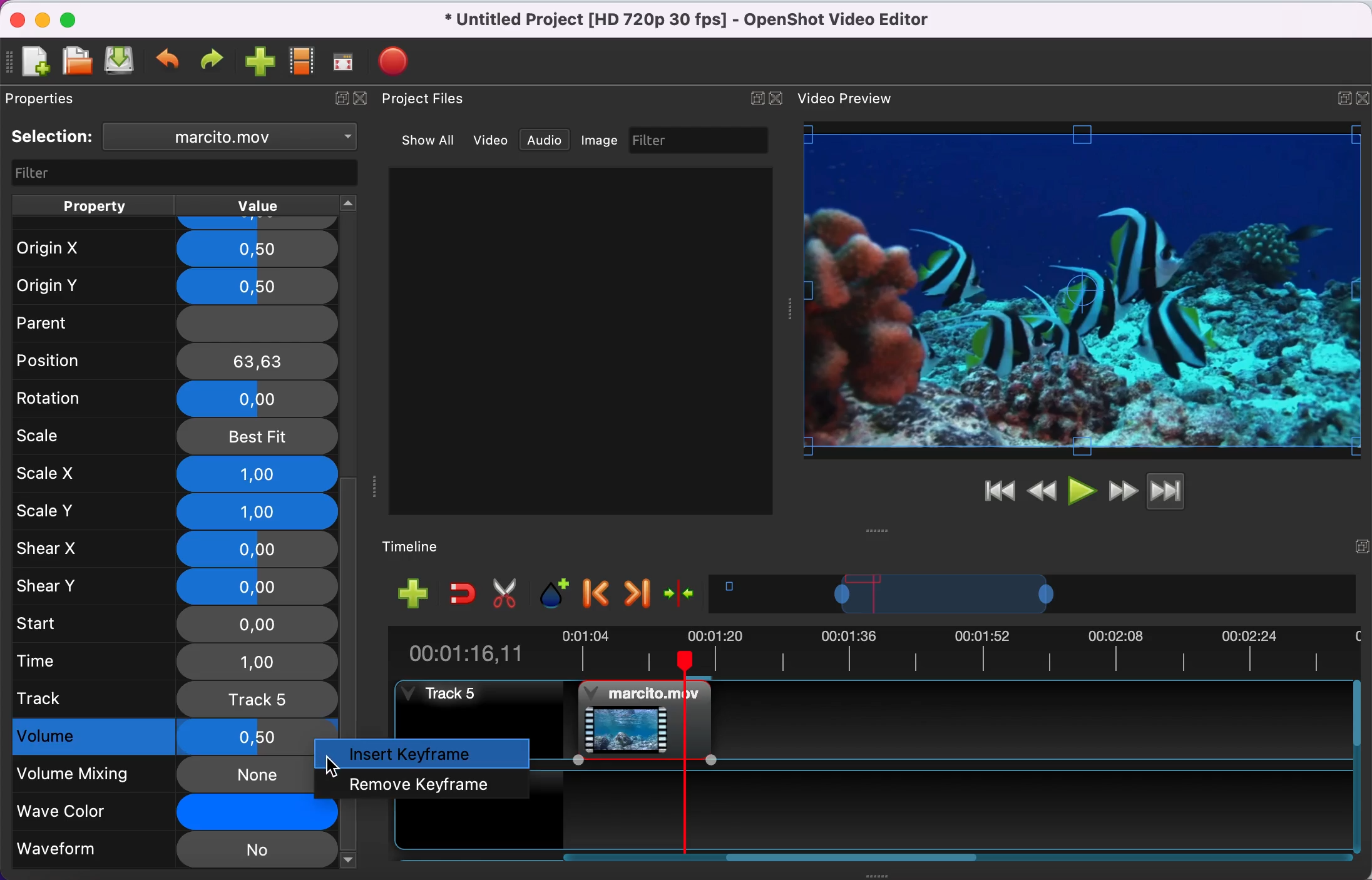  I want to click on expand/hide, so click(1360, 543).